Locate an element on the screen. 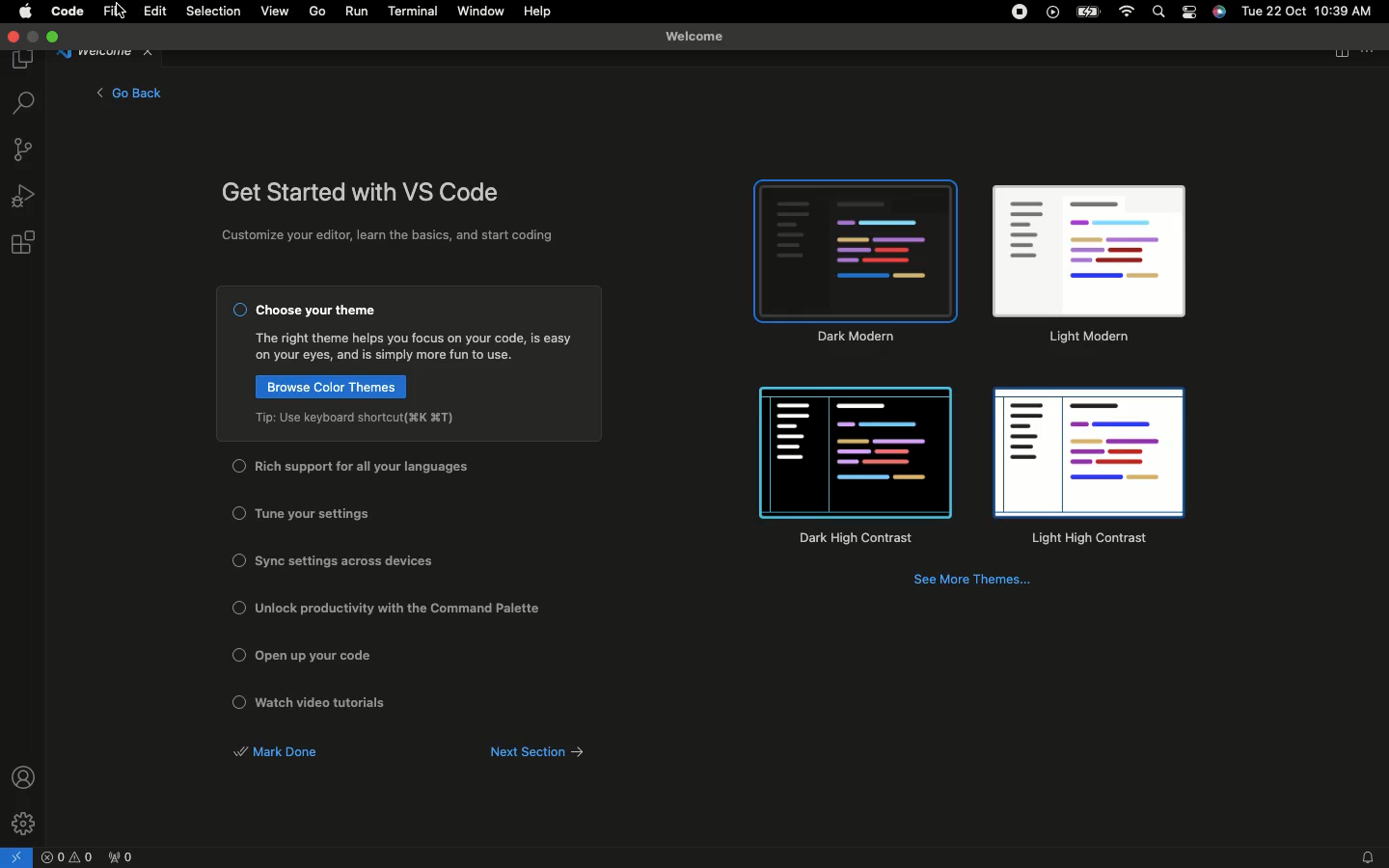  Accounts is located at coordinates (26, 776).